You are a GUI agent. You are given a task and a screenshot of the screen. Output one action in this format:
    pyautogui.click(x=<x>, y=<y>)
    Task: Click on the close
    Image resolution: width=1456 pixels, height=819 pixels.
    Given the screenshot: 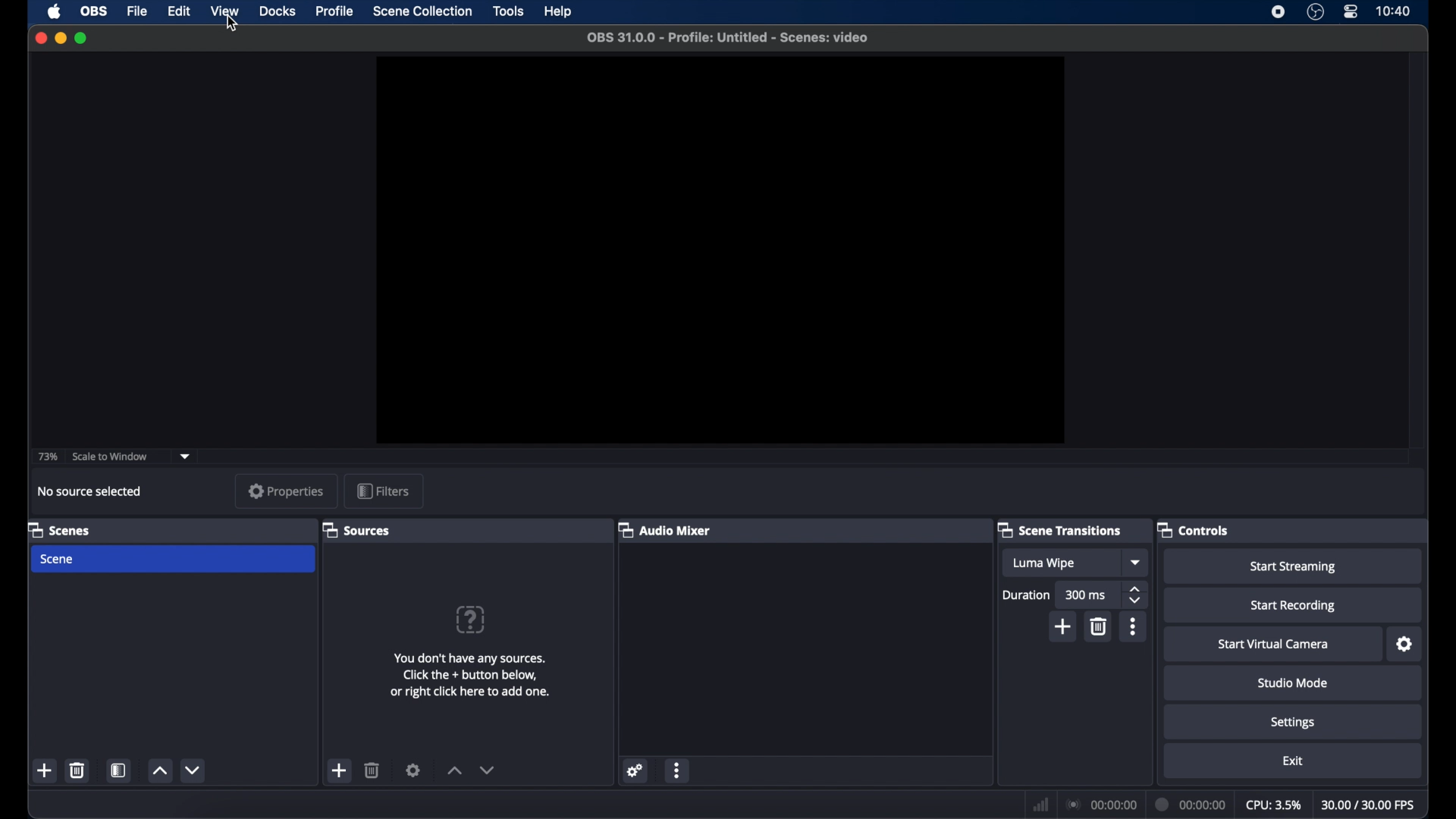 What is the action you would take?
    pyautogui.click(x=40, y=38)
    